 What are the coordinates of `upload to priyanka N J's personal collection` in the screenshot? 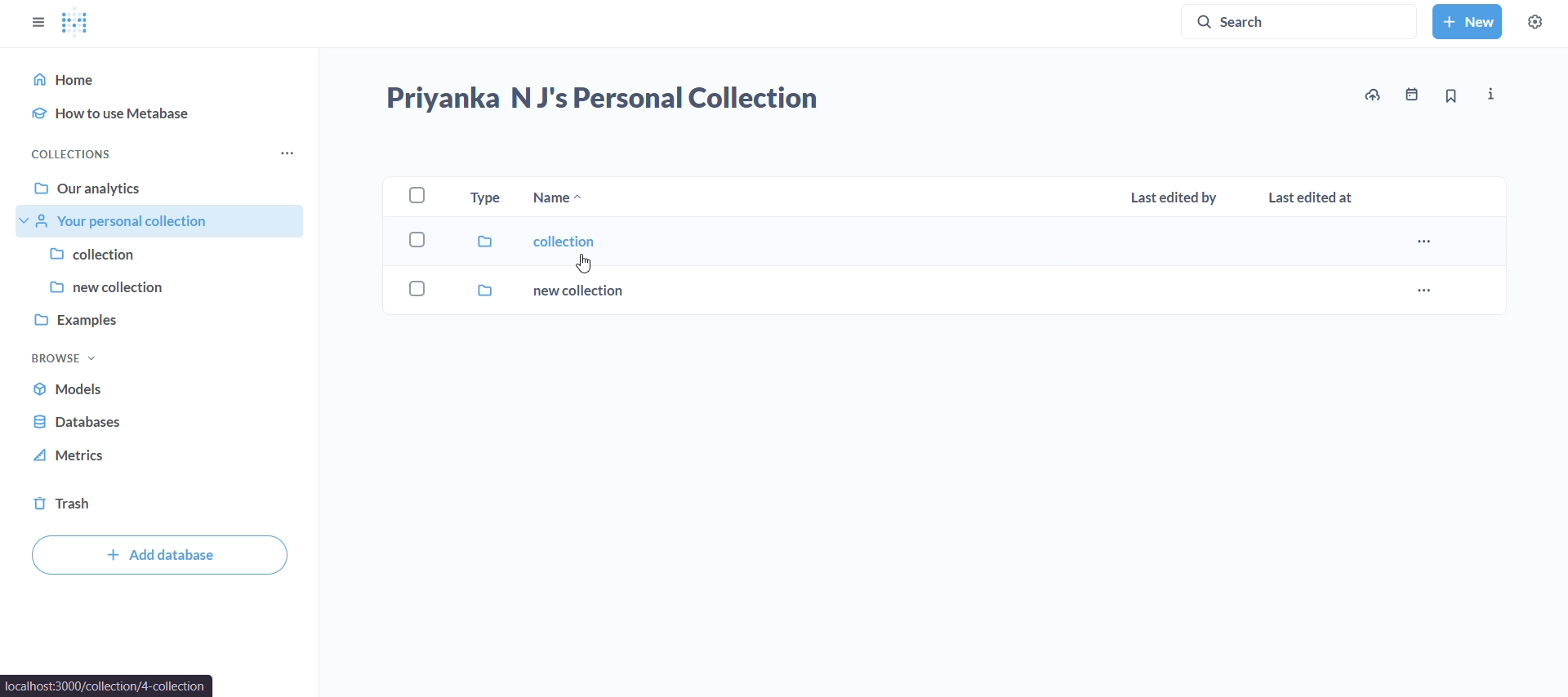 It's located at (1370, 93).